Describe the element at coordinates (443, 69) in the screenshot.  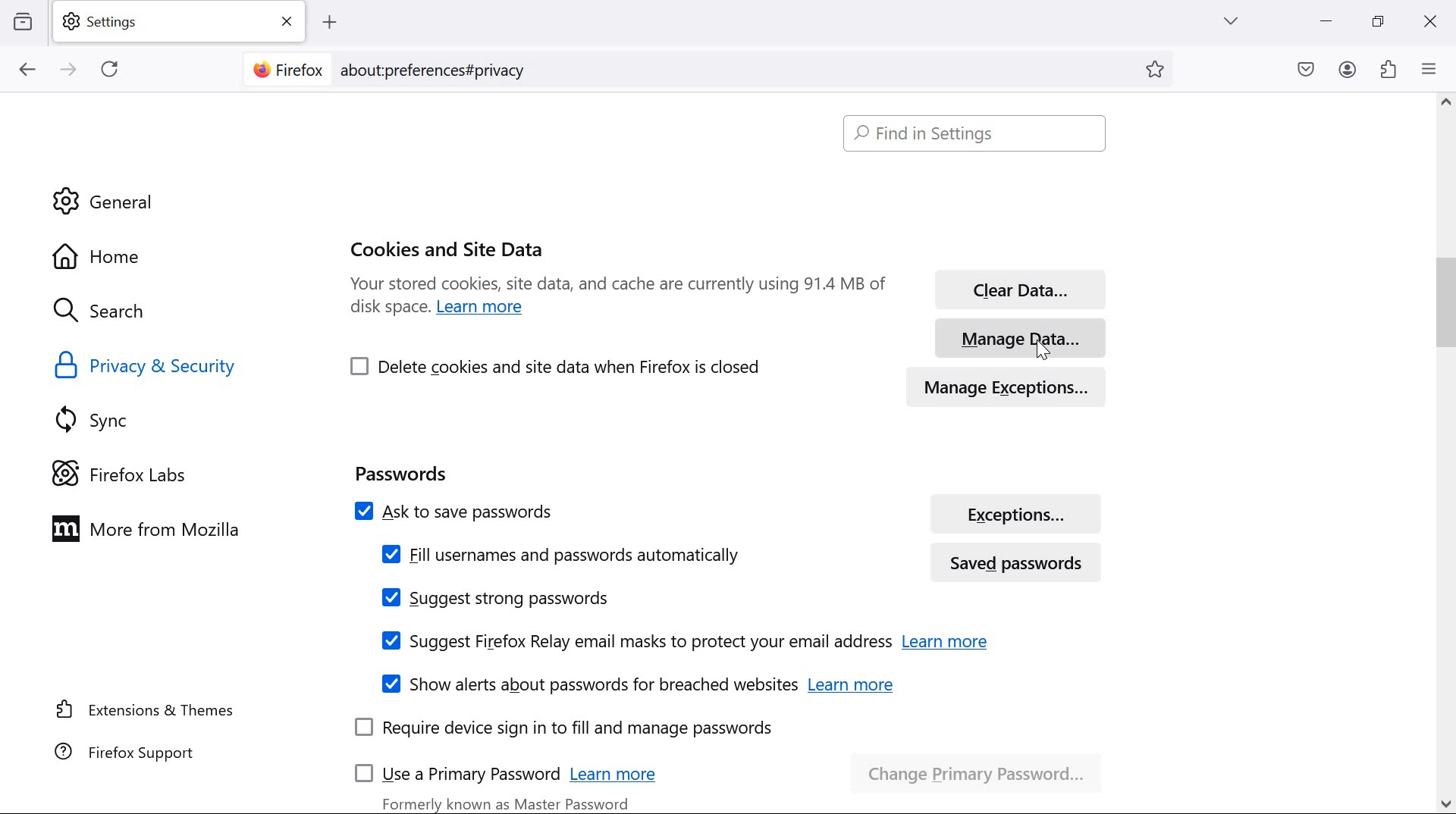
I see `about:preferences#privacy` at that location.